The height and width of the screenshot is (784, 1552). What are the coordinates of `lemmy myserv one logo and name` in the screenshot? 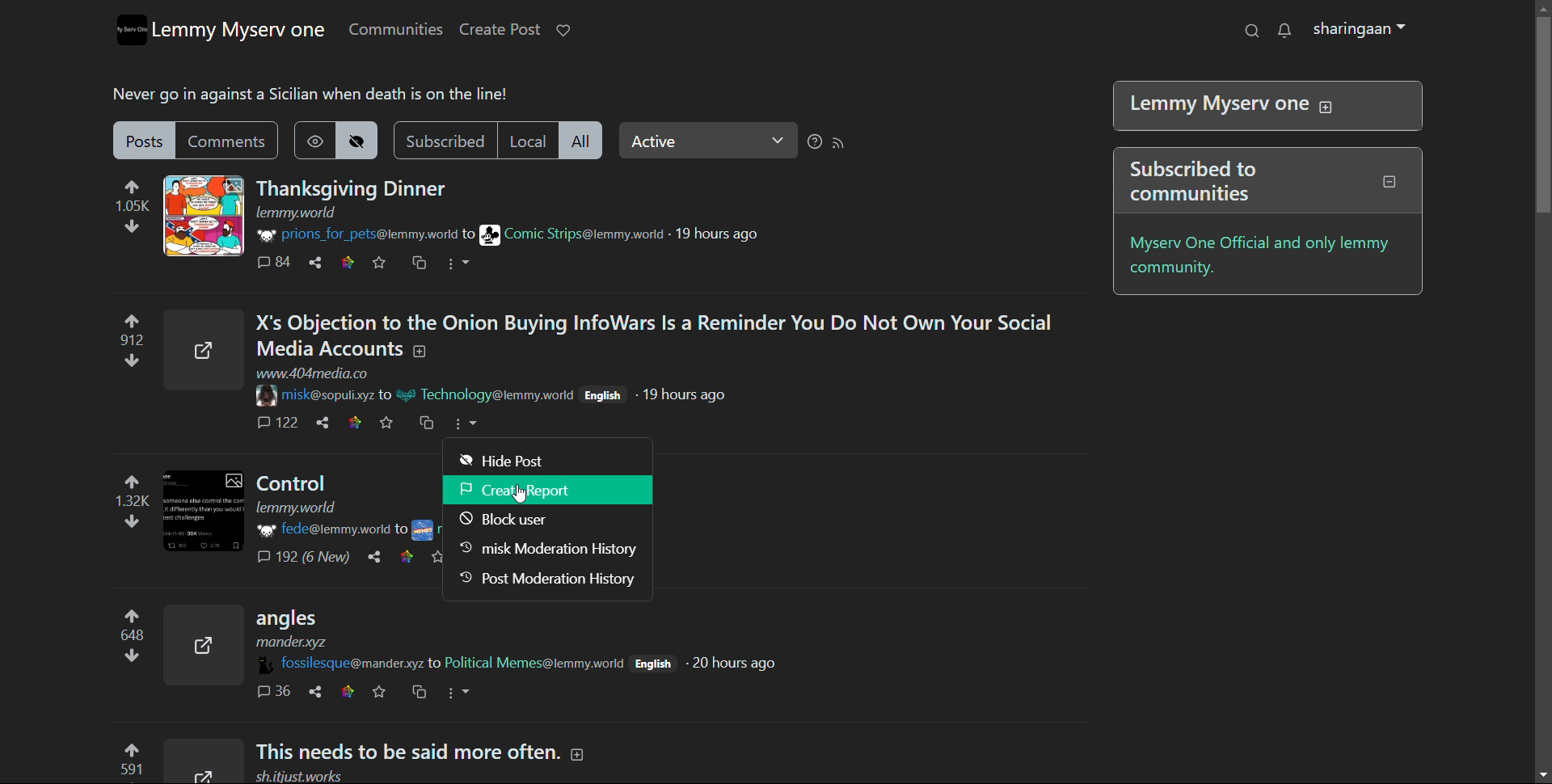 It's located at (222, 30).